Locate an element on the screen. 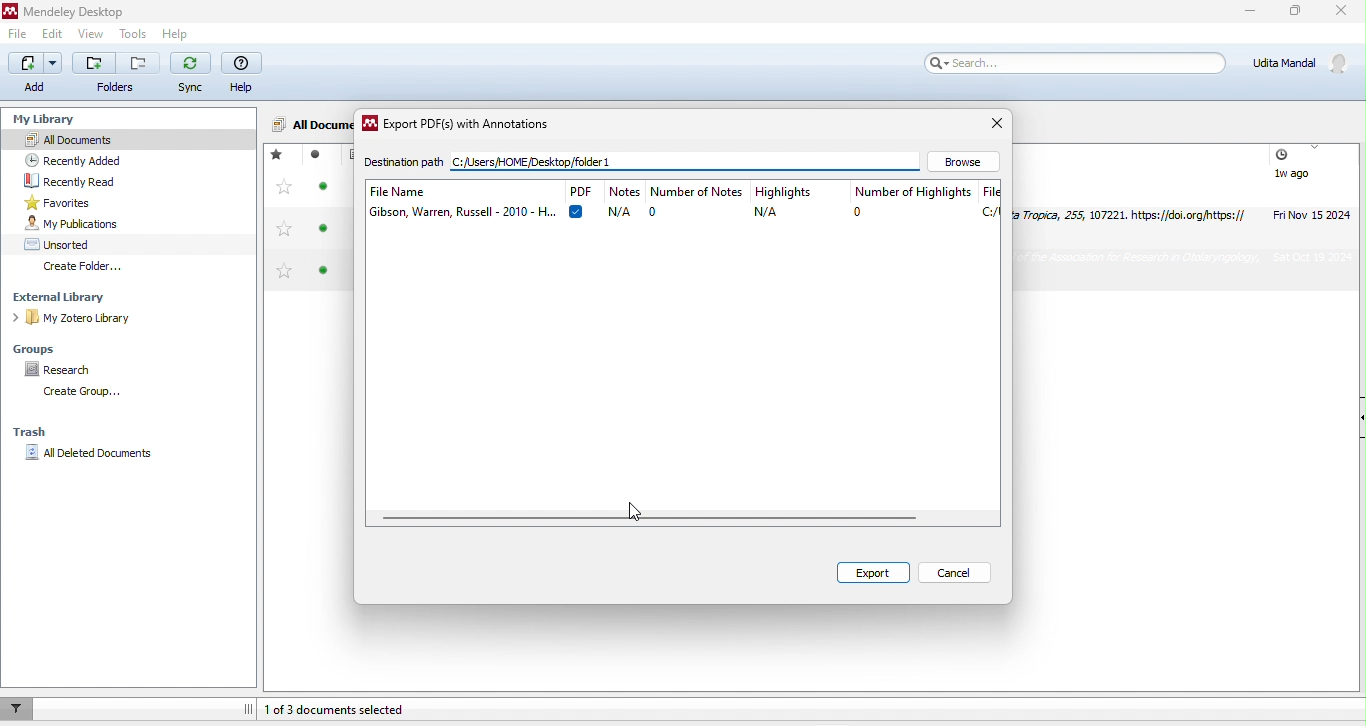  Destination path C:/Users/HOME Desktop /folder 1 is located at coordinates (540, 162).